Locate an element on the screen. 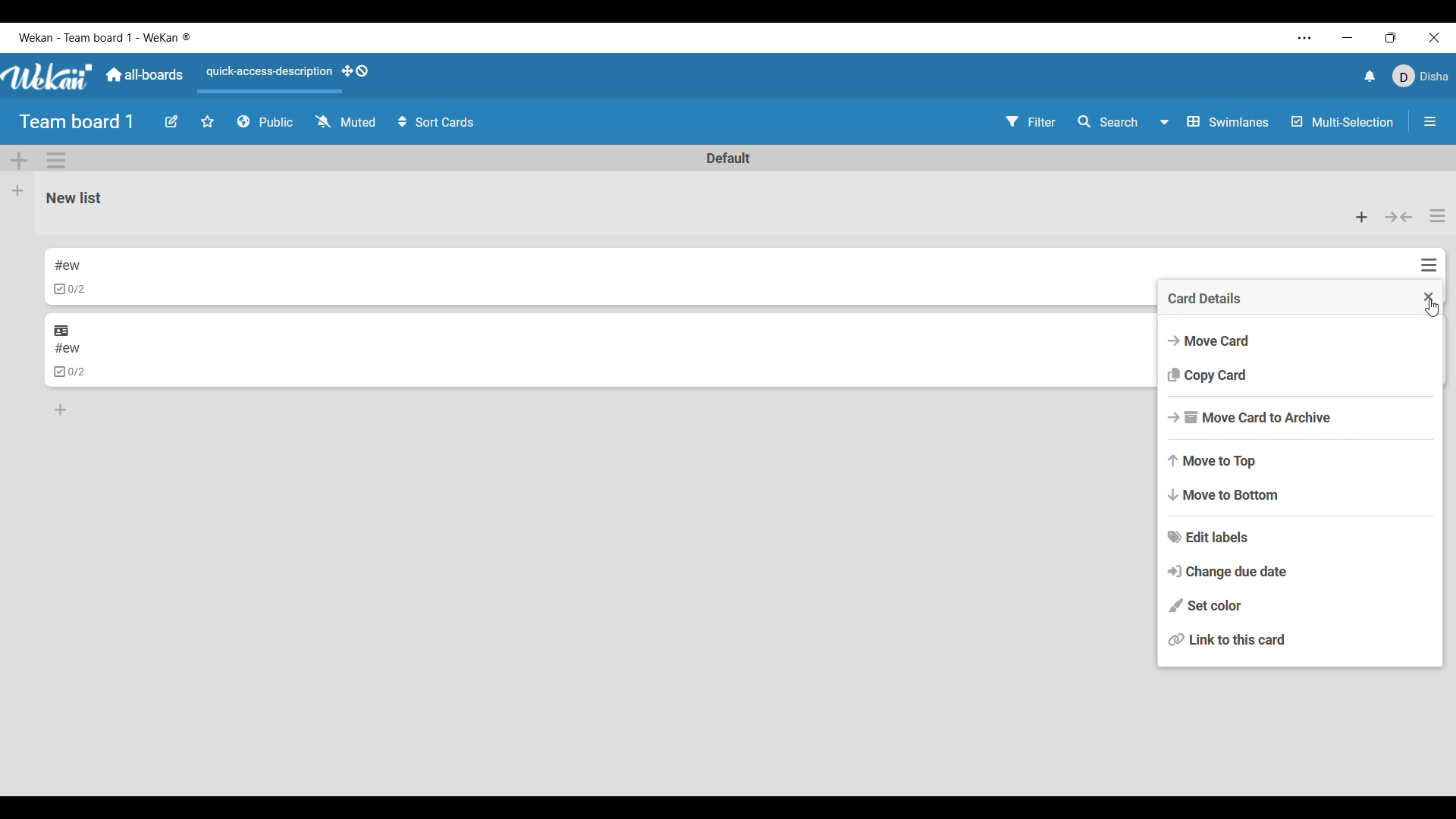  Move to bottom is located at coordinates (1300, 495).